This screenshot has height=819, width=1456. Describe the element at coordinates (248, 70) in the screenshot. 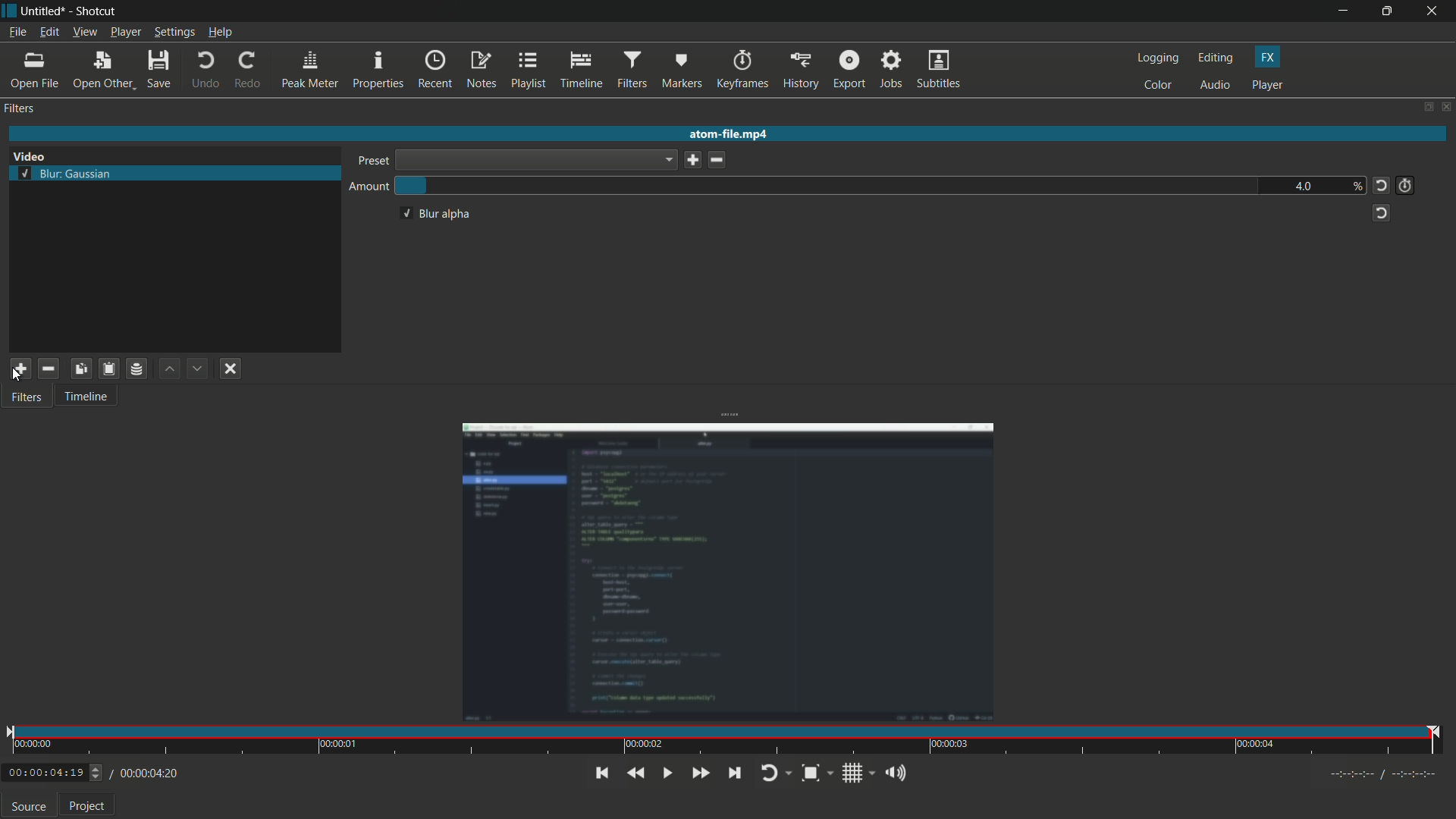

I see `redo` at that location.